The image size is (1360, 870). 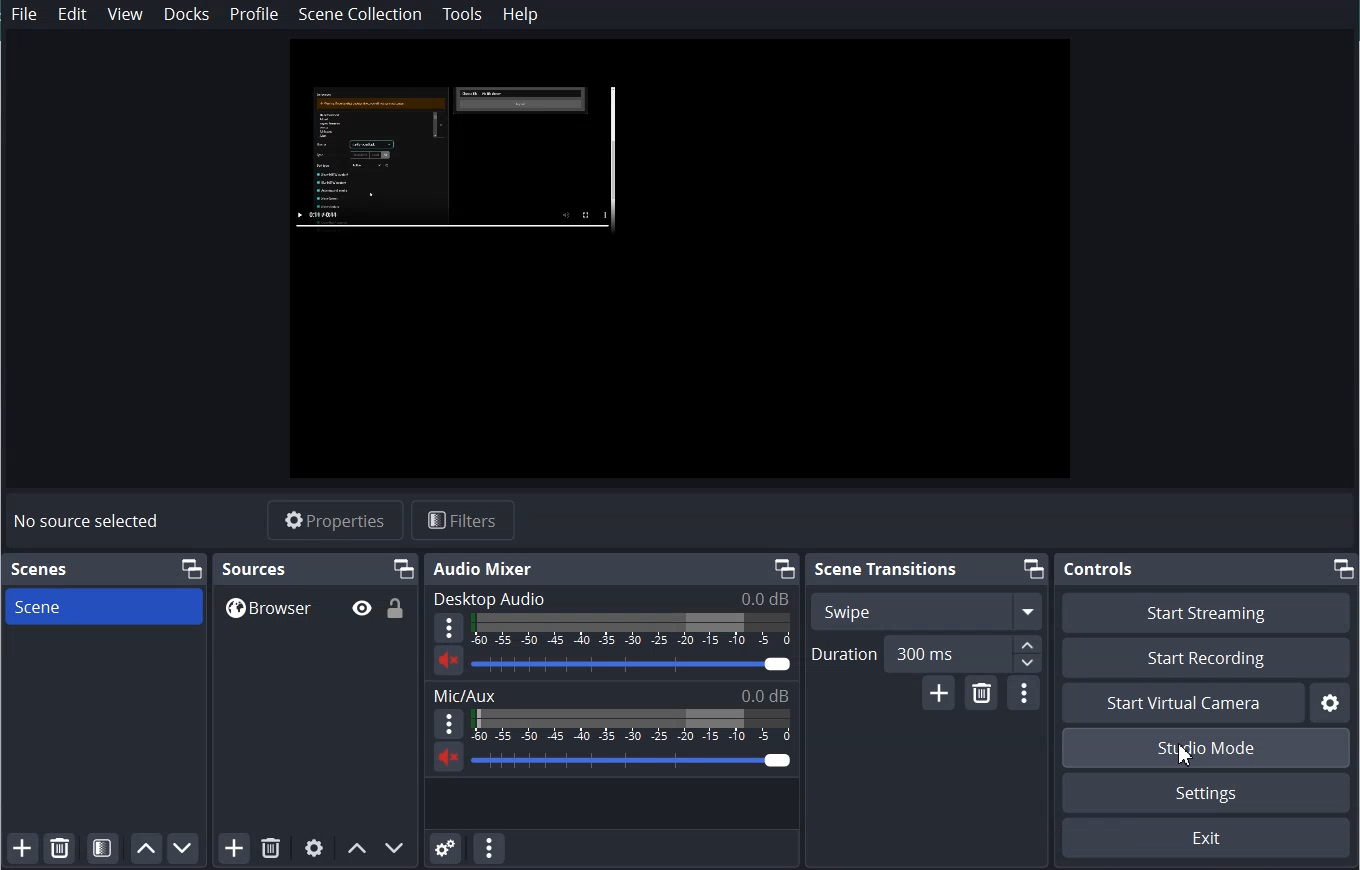 I want to click on Docks, so click(x=187, y=14).